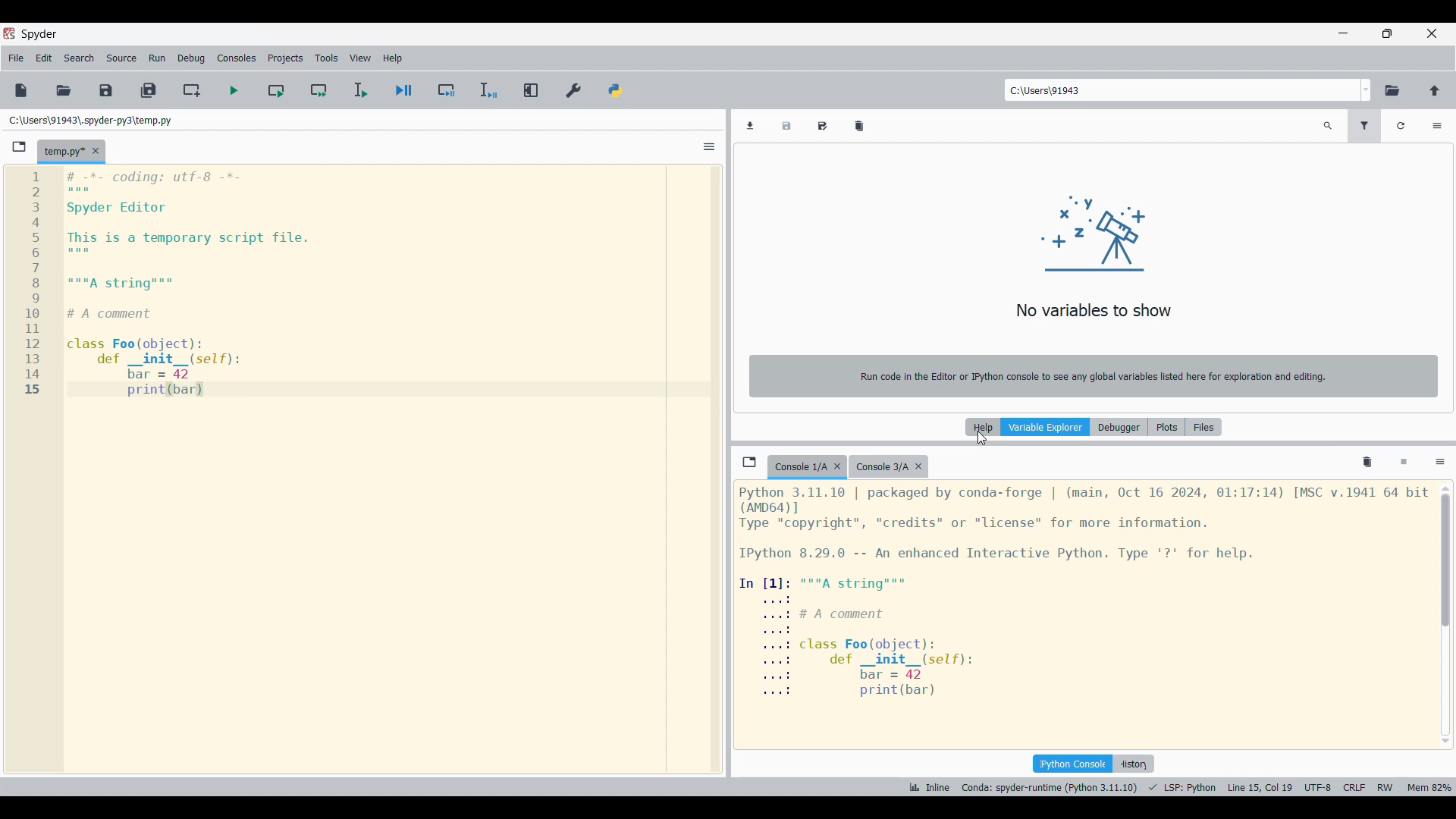  I want to click on Source menu, so click(122, 56).